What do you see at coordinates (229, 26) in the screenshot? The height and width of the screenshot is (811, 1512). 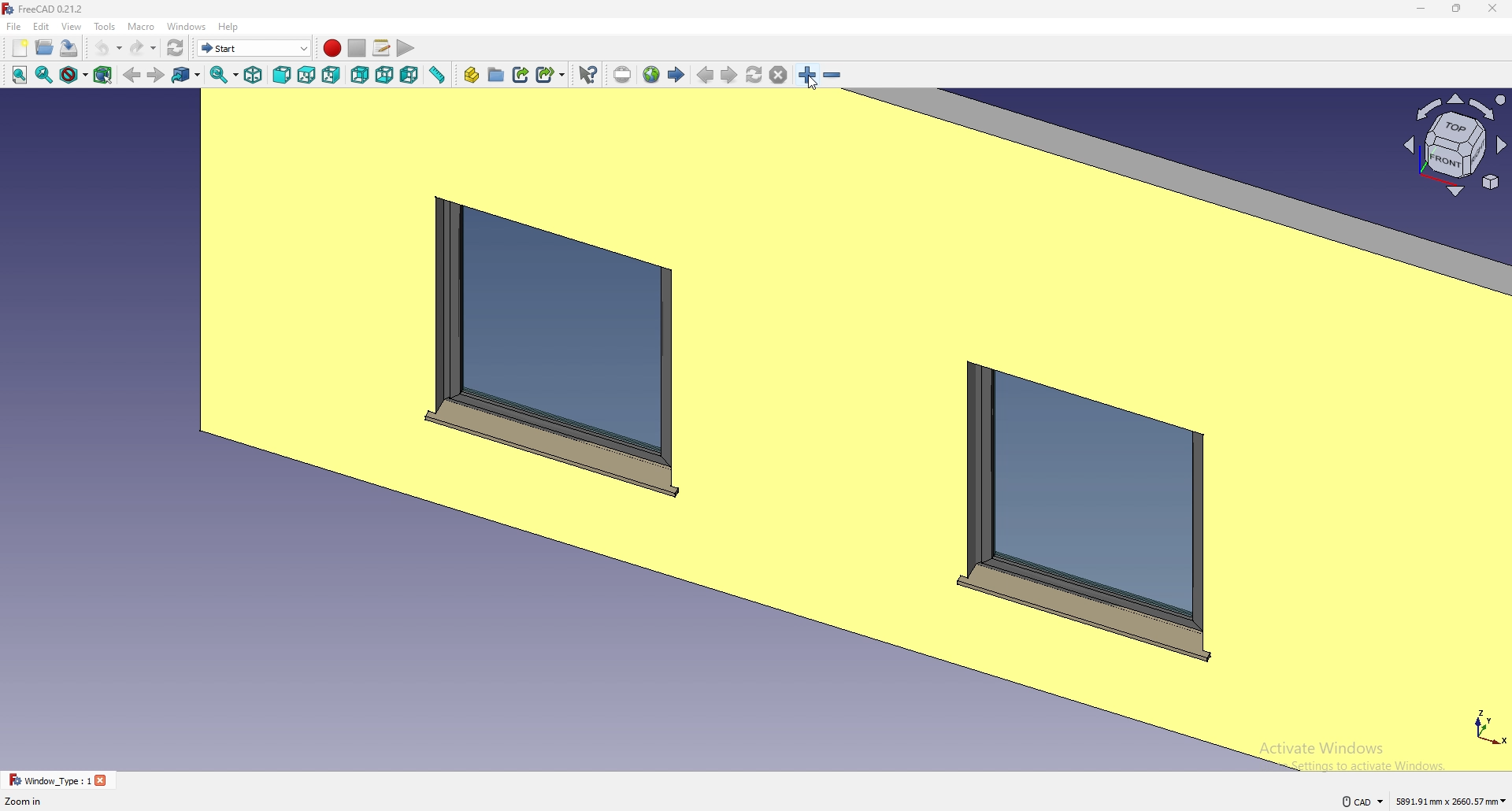 I see `help` at bounding box center [229, 26].